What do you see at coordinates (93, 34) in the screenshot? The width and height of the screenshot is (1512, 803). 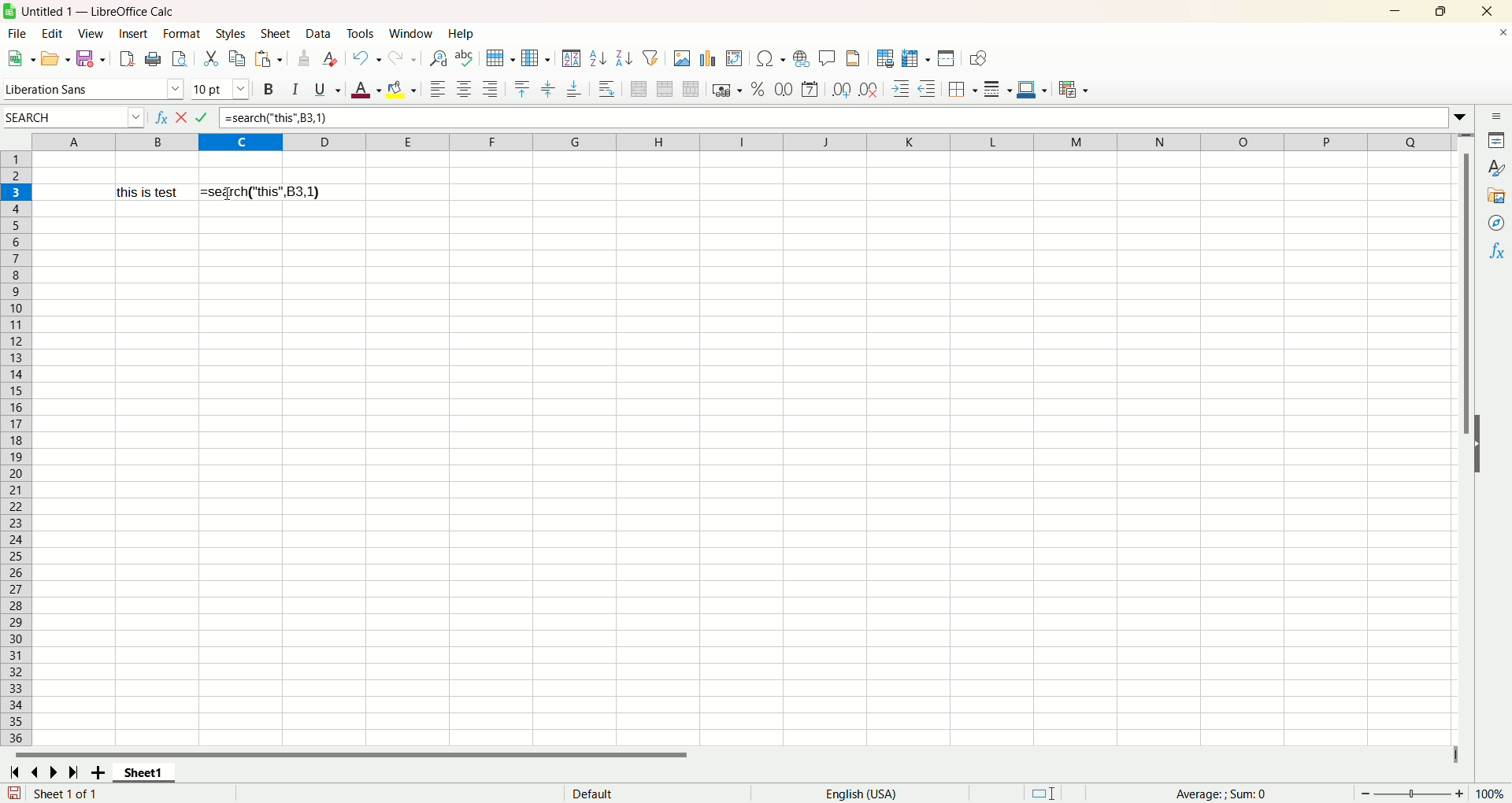 I see `view` at bounding box center [93, 34].